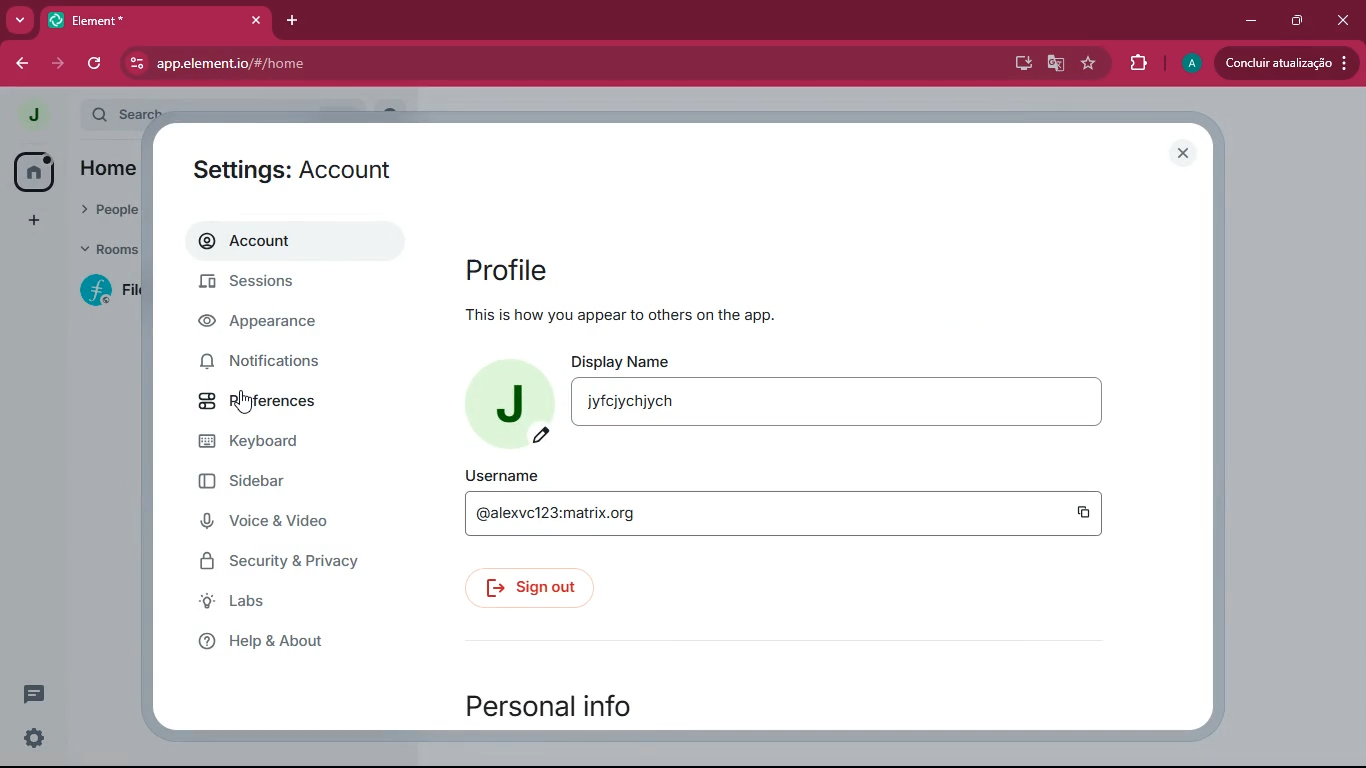 Image resolution: width=1366 pixels, height=768 pixels. I want to click on @alexvc123:matrix.org, so click(740, 513).